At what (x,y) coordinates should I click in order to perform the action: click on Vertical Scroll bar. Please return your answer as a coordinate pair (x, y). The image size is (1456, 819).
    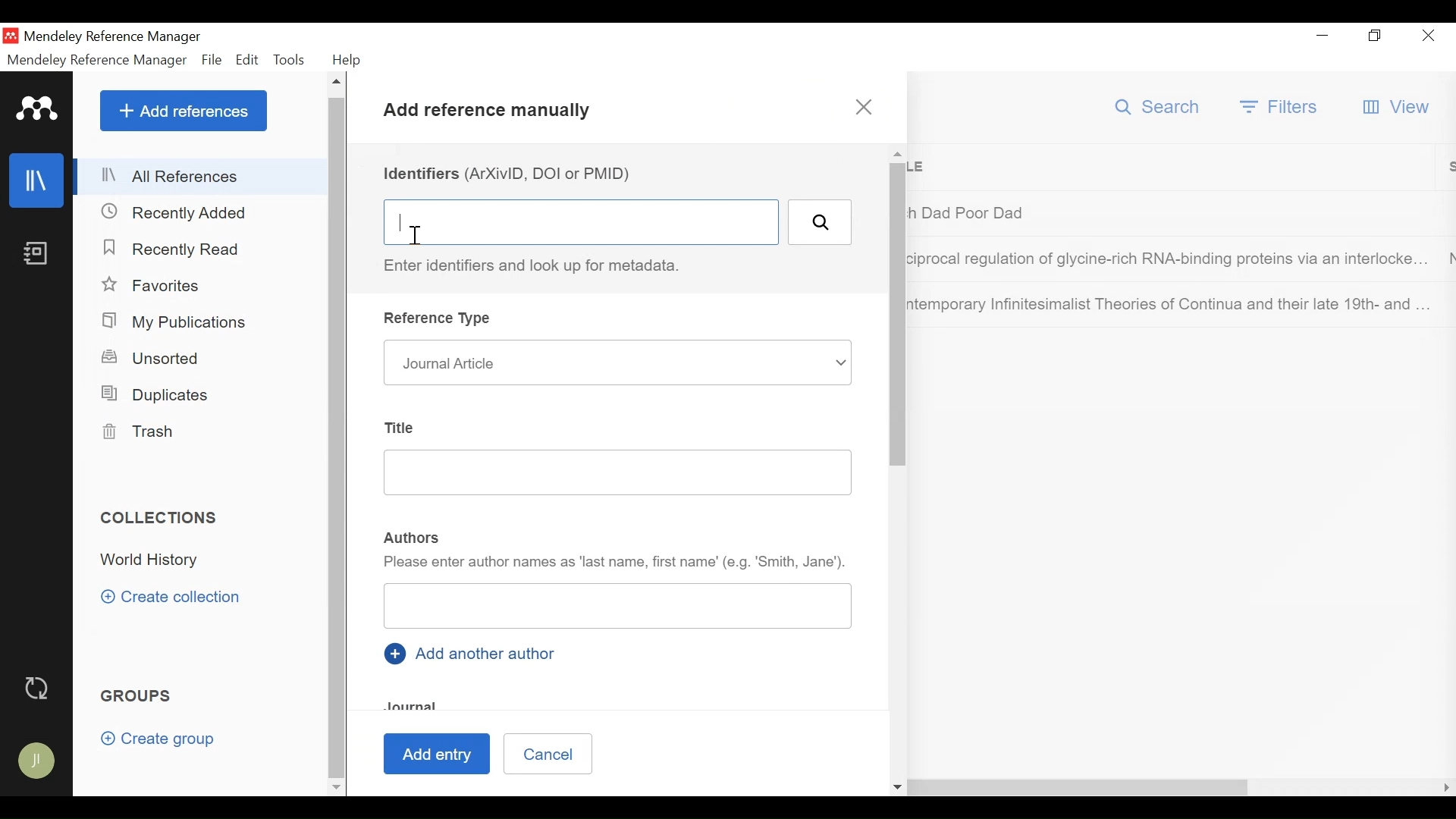
    Looking at the image, I should click on (338, 436).